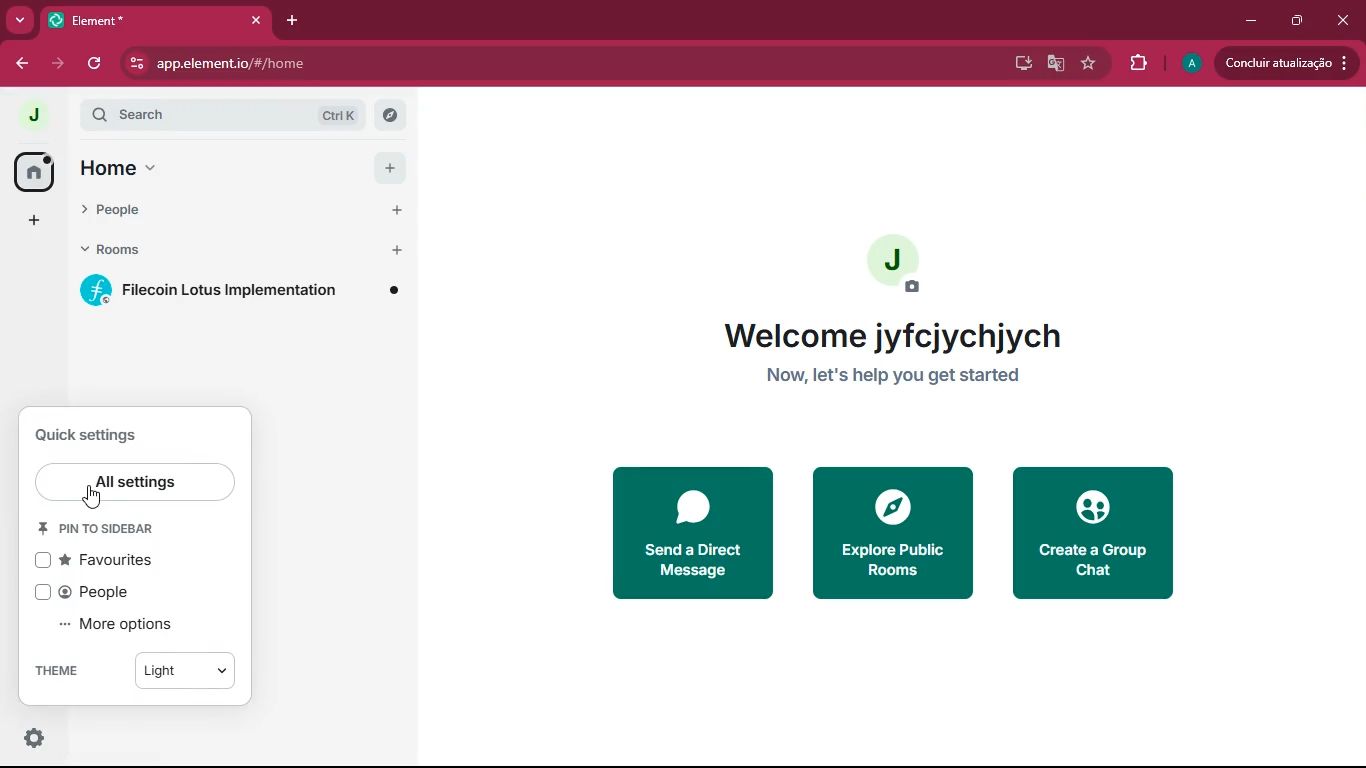  I want to click on now, let's help you get started, so click(901, 376).